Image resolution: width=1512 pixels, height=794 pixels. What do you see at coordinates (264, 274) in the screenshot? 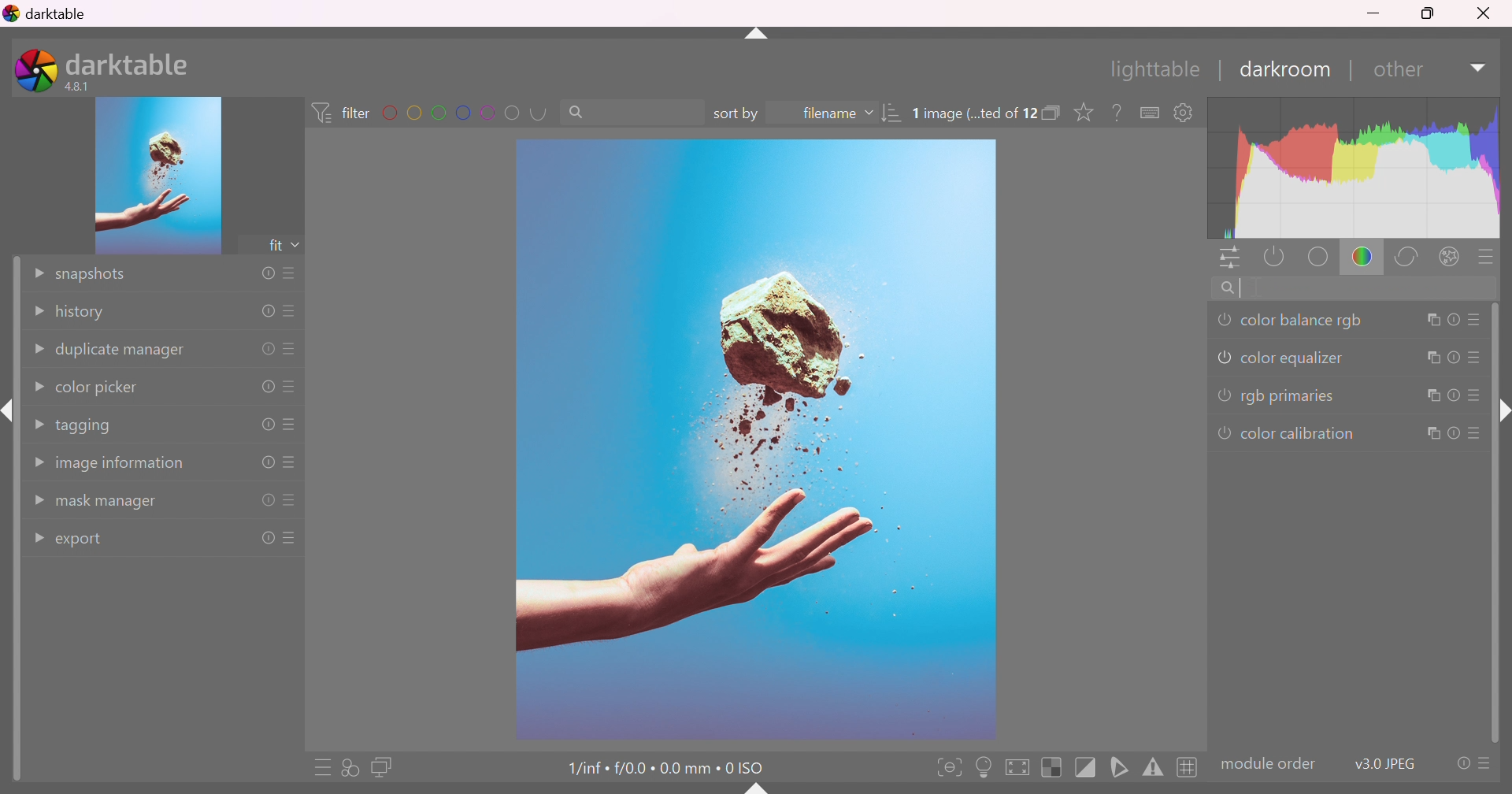
I see `reset` at bounding box center [264, 274].